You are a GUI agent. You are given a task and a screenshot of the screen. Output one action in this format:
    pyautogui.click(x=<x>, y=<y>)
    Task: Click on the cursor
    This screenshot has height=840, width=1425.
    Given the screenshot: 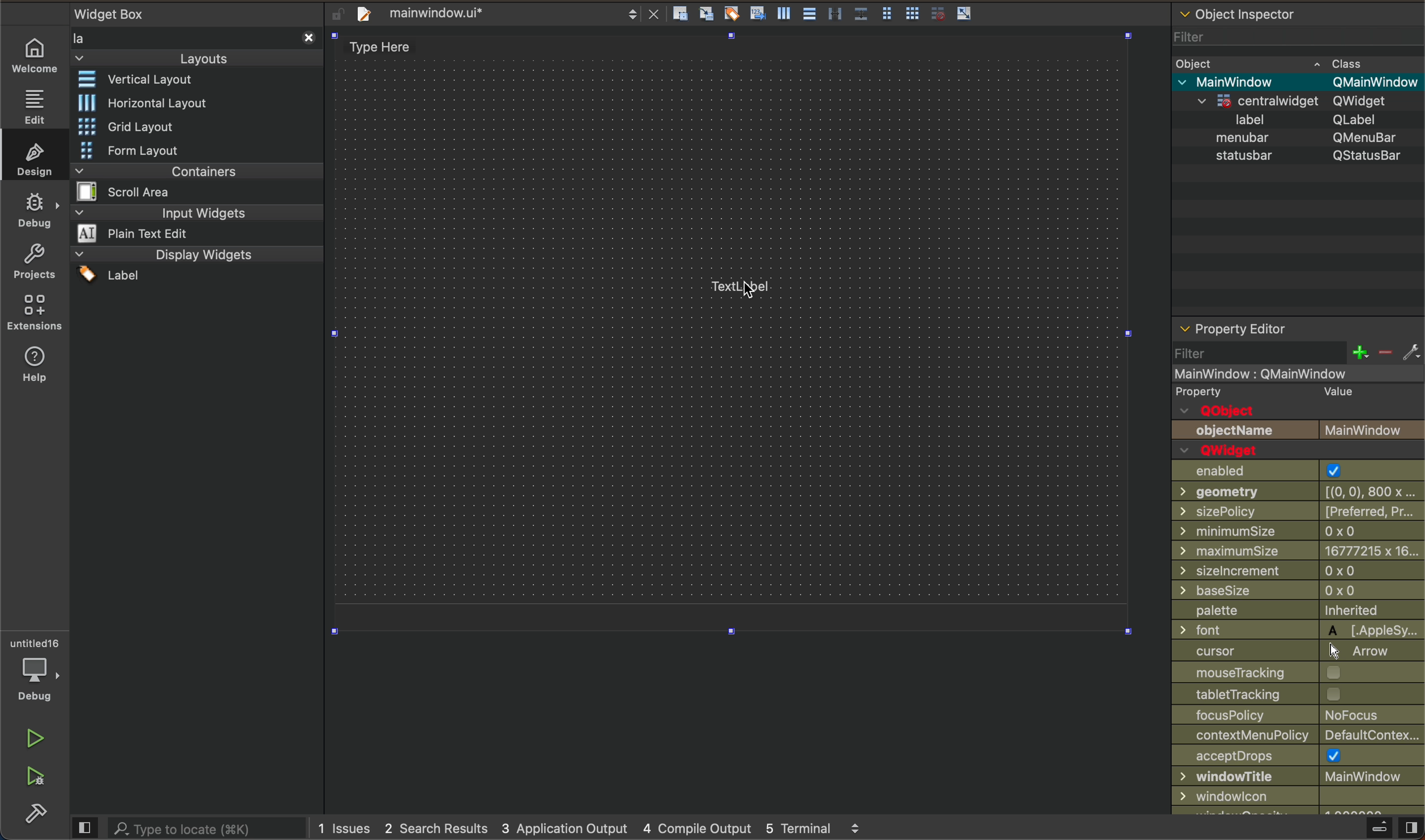 What is the action you would take?
    pyautogui.click(x=1299, y=652)
    